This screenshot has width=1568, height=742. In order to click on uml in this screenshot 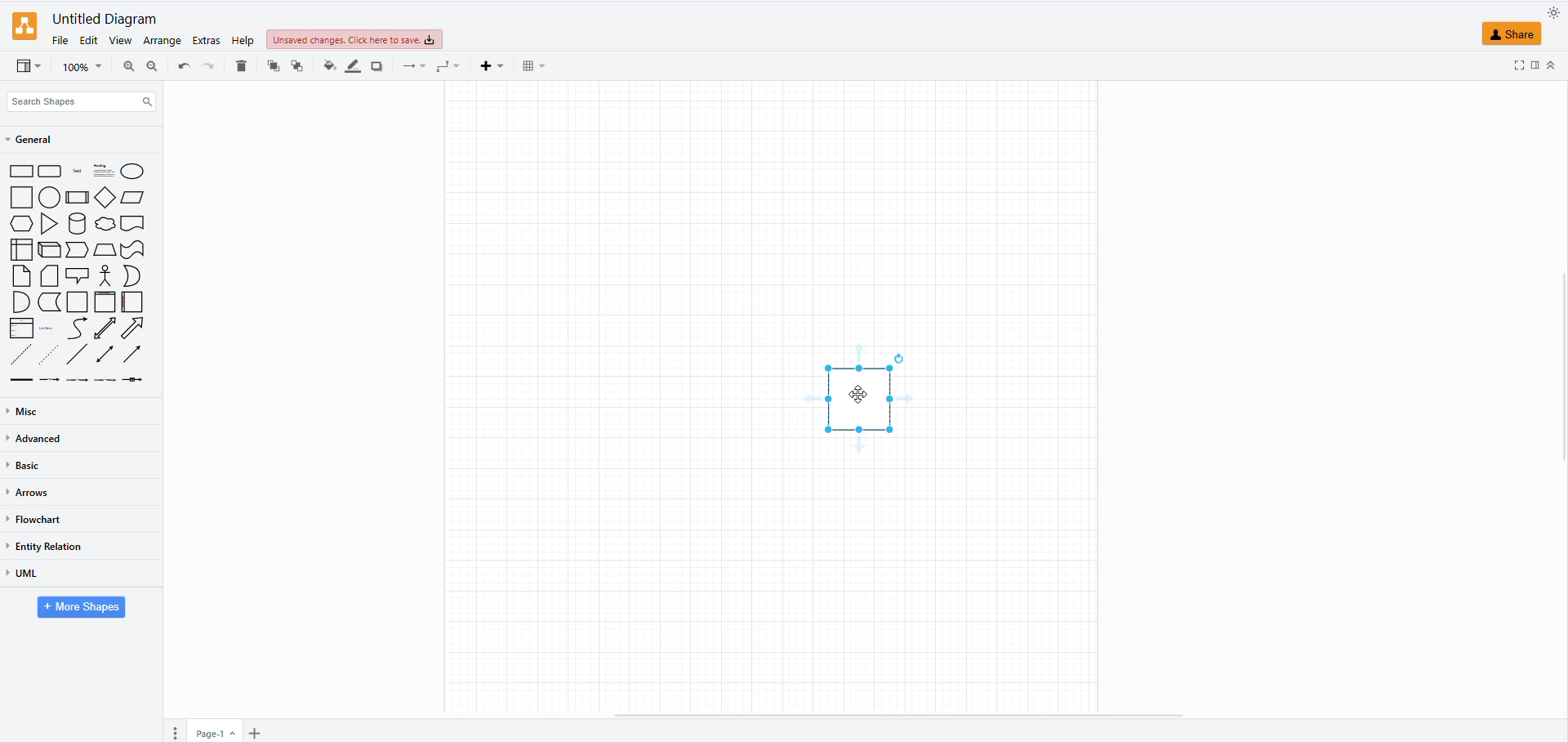, I will do `click(23, 574)`.